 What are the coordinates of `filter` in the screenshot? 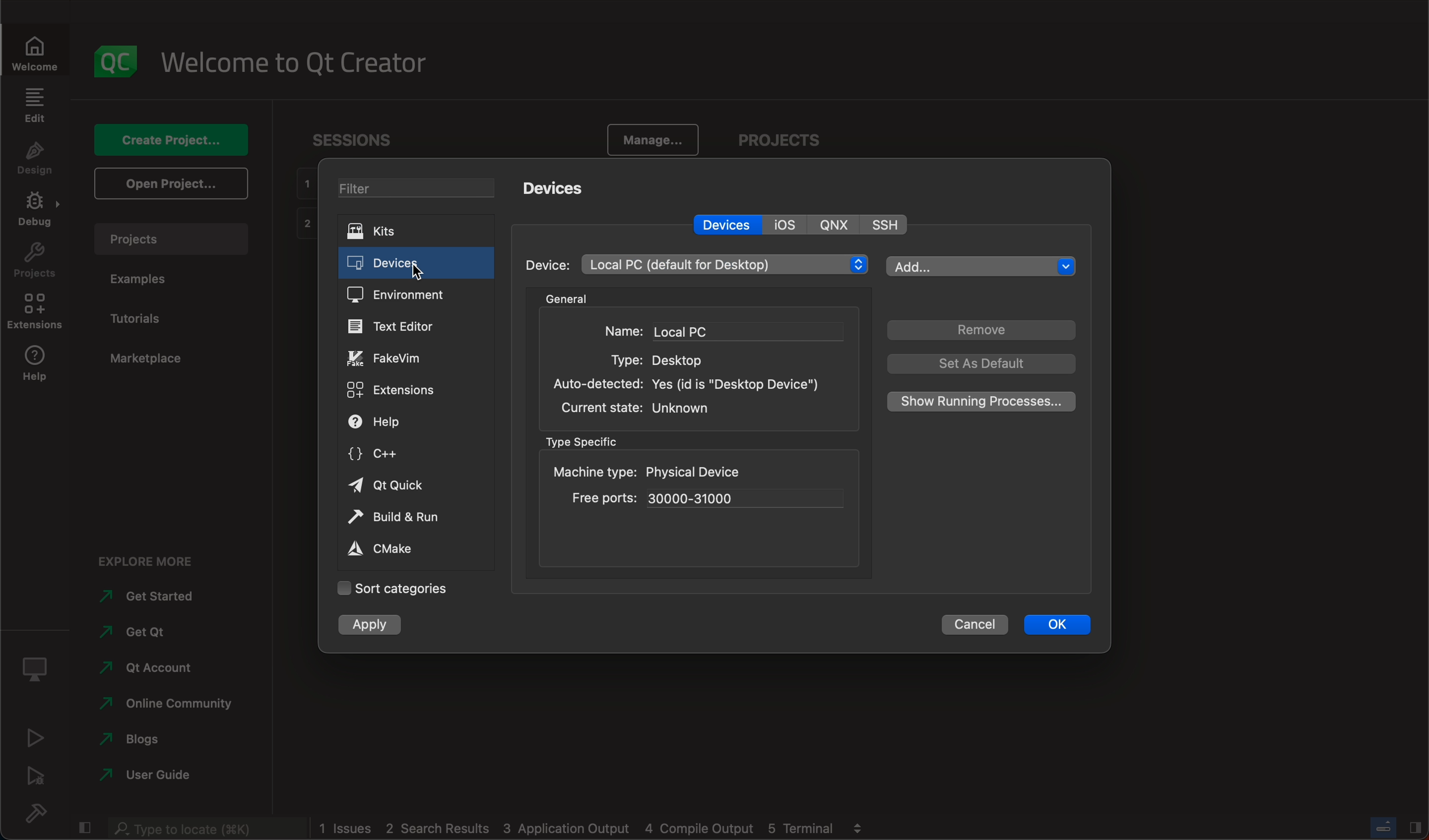 It's located at (421, 188).